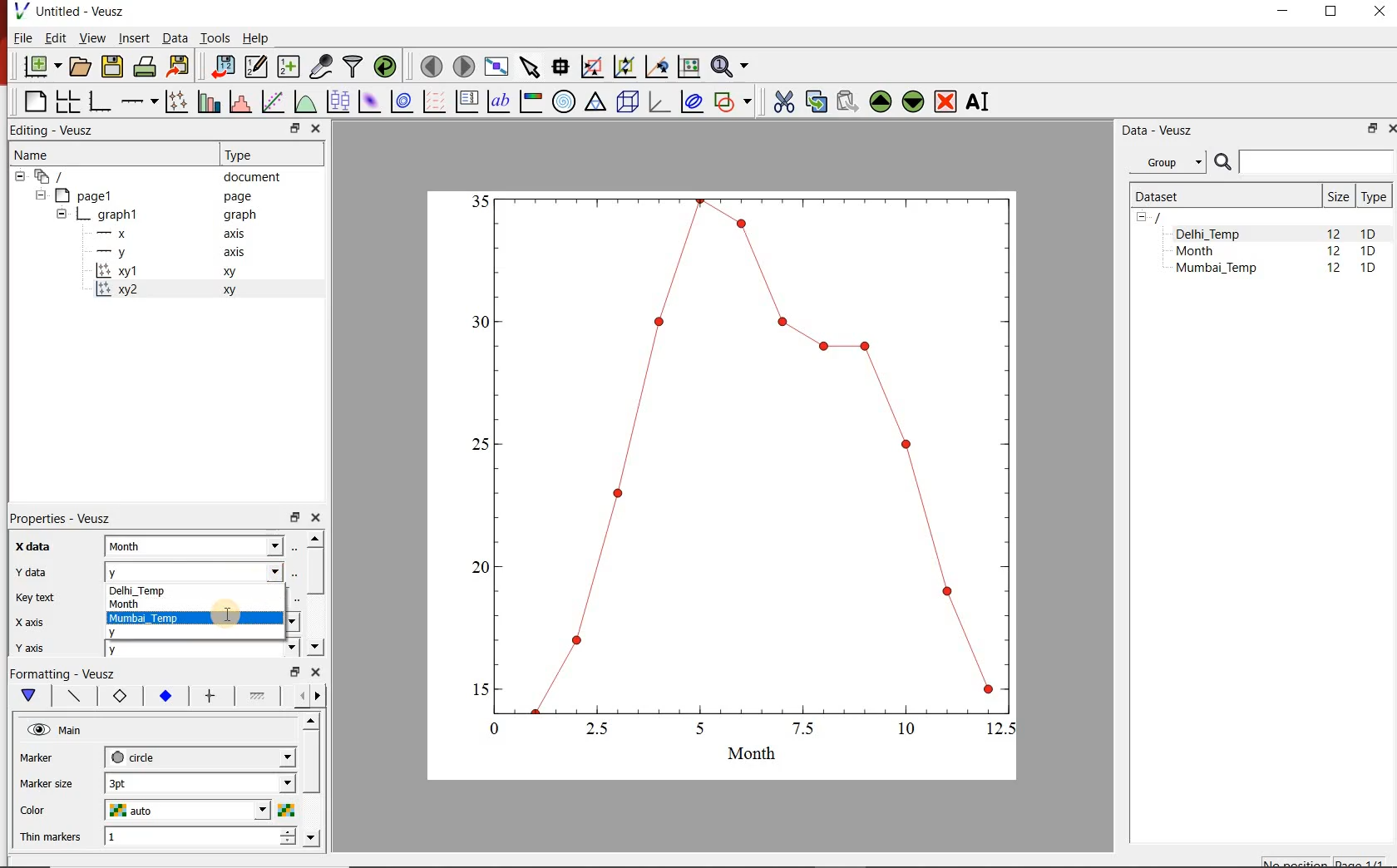 The width and height of the screenshot is (1397, 868). Describe the element at coordinates (296, 128) in the screenshot. I see `restore` at that location.